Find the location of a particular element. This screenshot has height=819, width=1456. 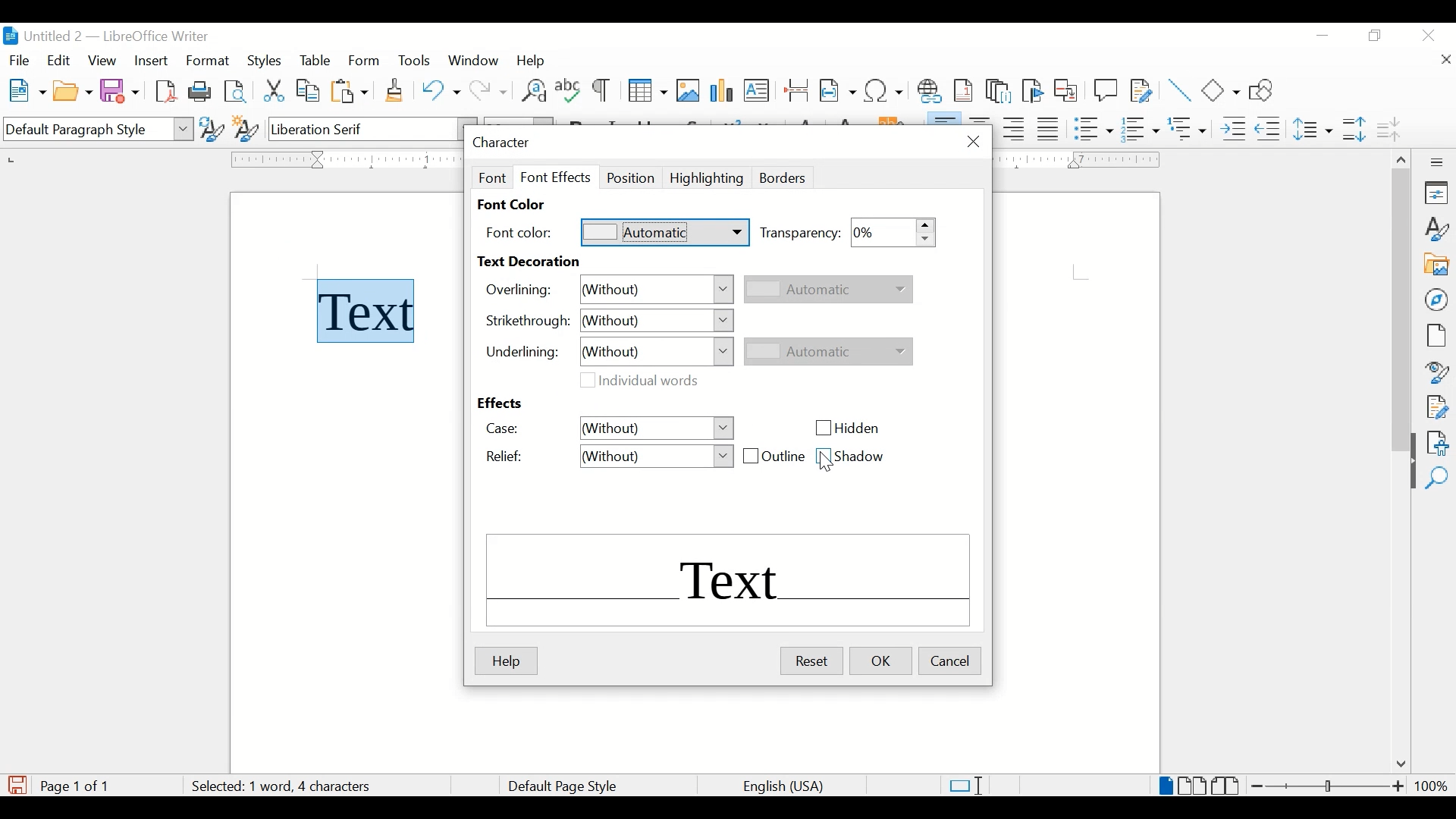

without dropdown is located at coordinates (656, 320).